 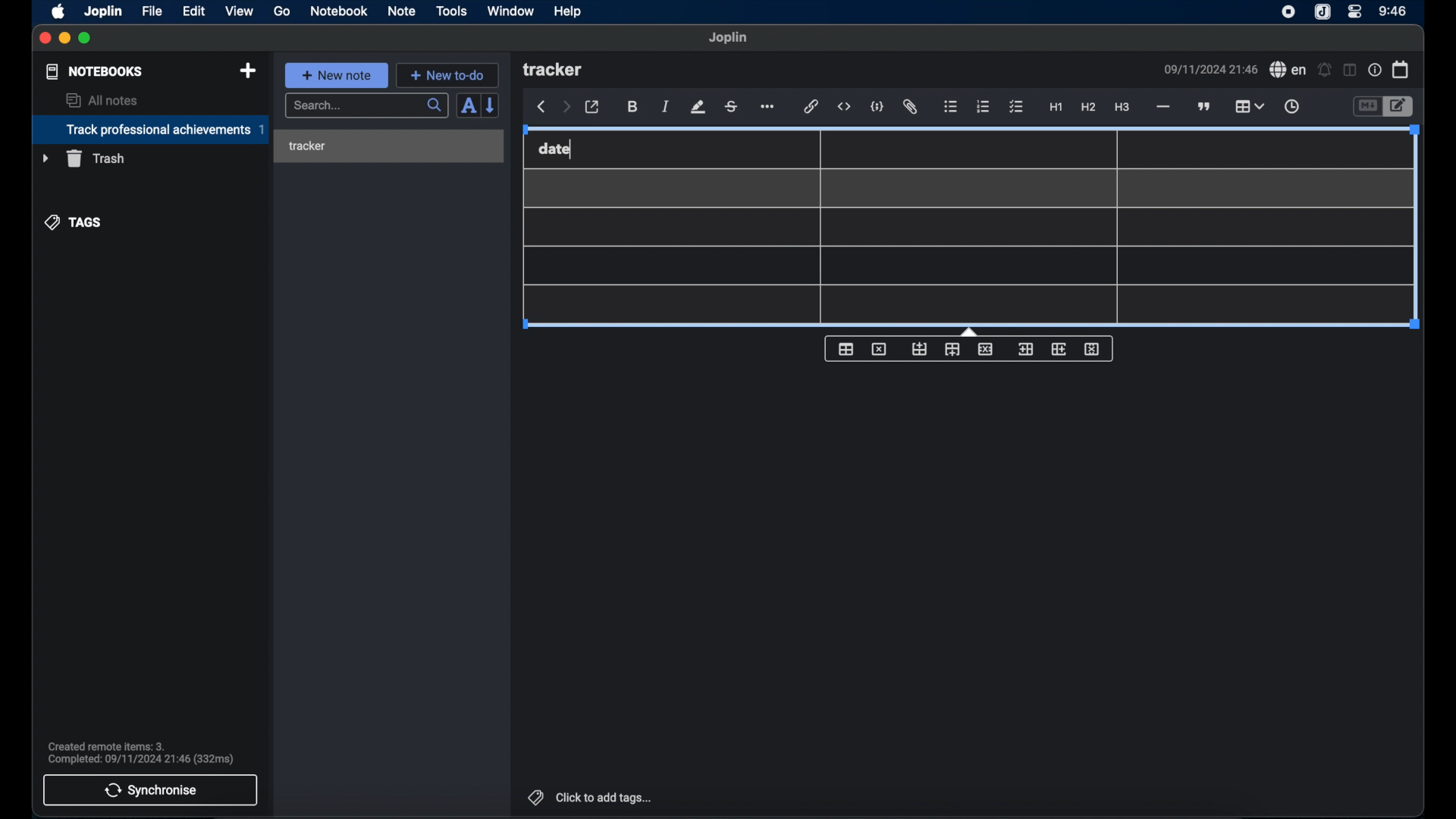 What do you see at coordinates (729, 38) in the screenshot?
I see `joplin` at bounding box center [729, 38].